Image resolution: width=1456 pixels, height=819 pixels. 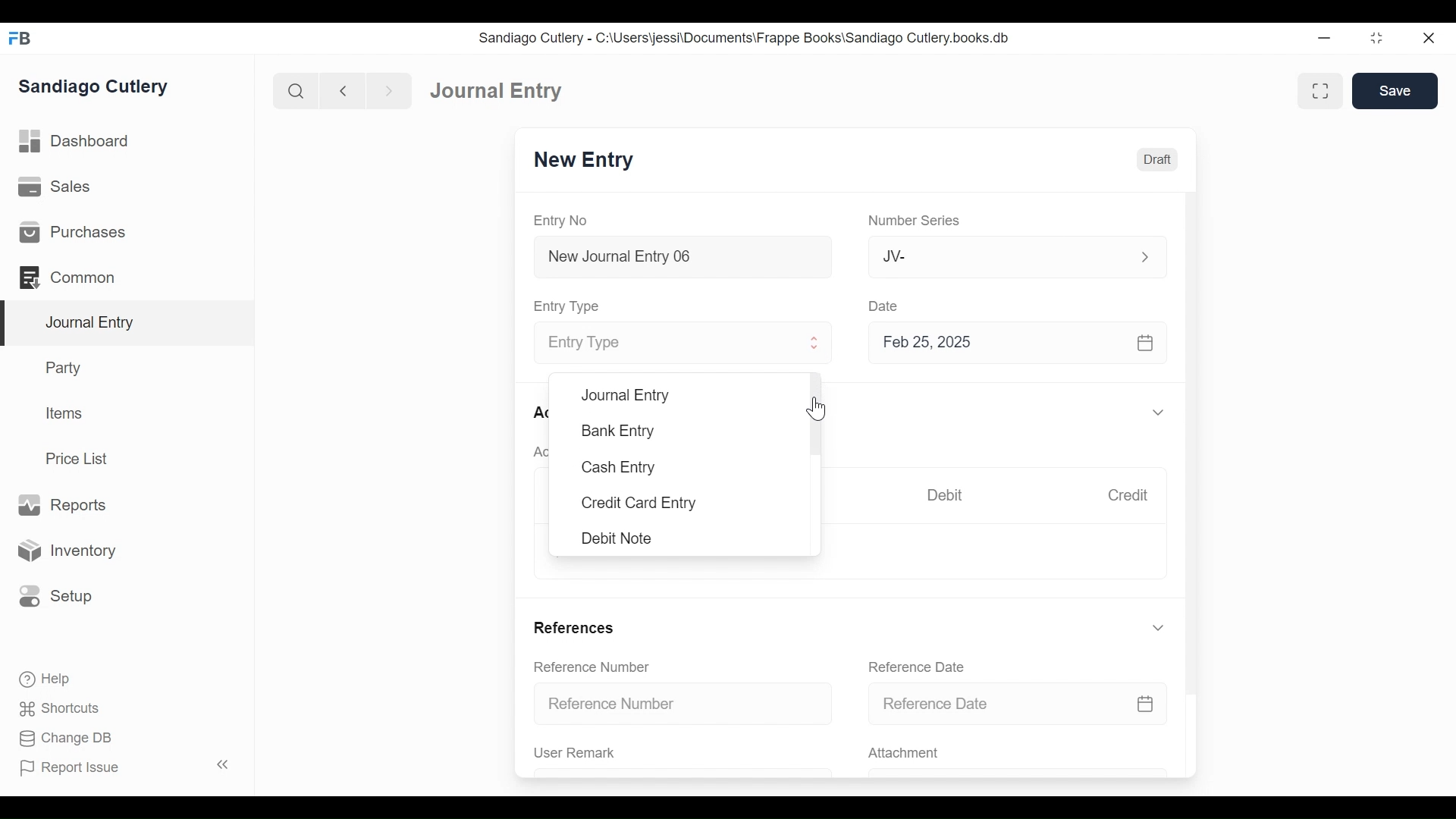 What do you see at coordinates (1145, 257) in the screenshot?
I see `Expand` at bounding box center [1145, 257].